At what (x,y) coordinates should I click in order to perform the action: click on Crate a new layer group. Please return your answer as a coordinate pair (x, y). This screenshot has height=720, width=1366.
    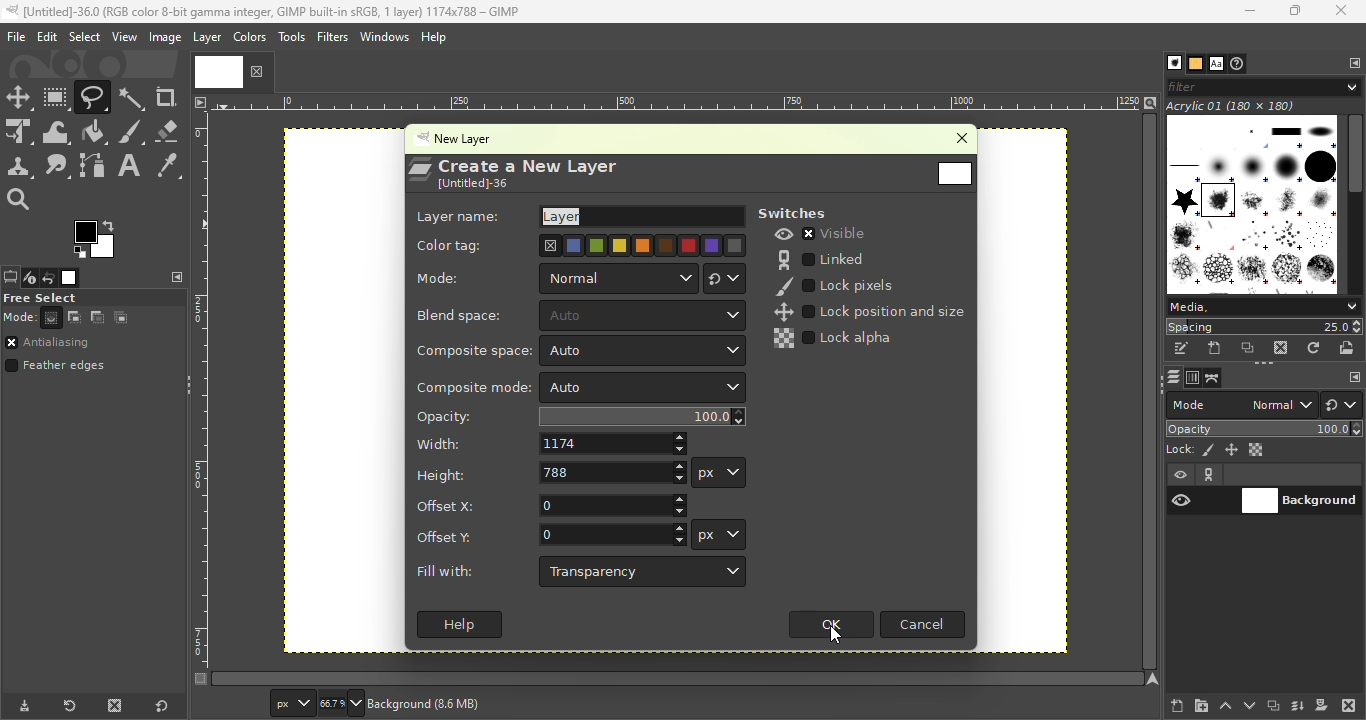
    Looking at the image, I should click on (1200, 705).